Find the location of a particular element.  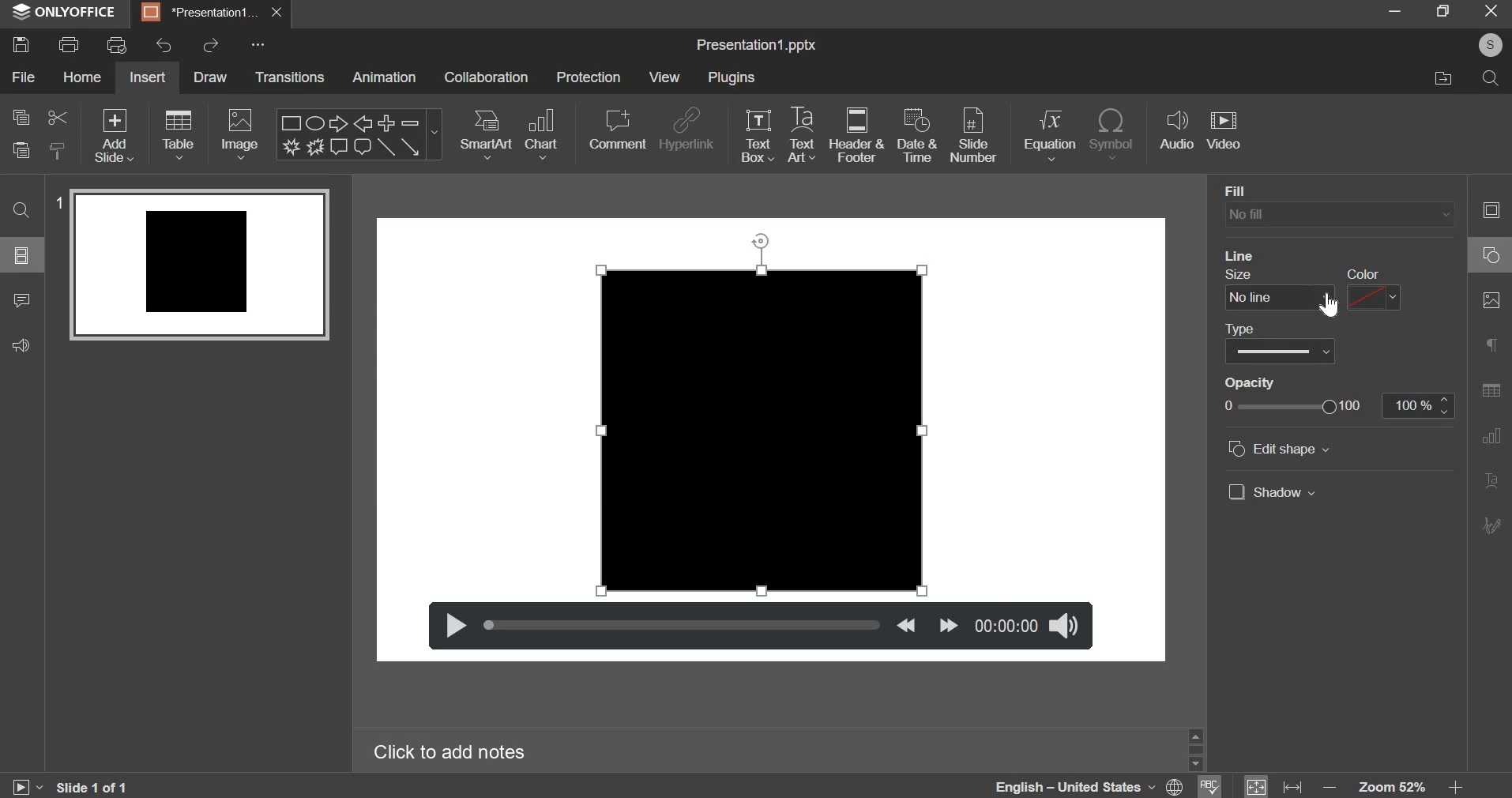

file location is located at coordinates (1444, 77).